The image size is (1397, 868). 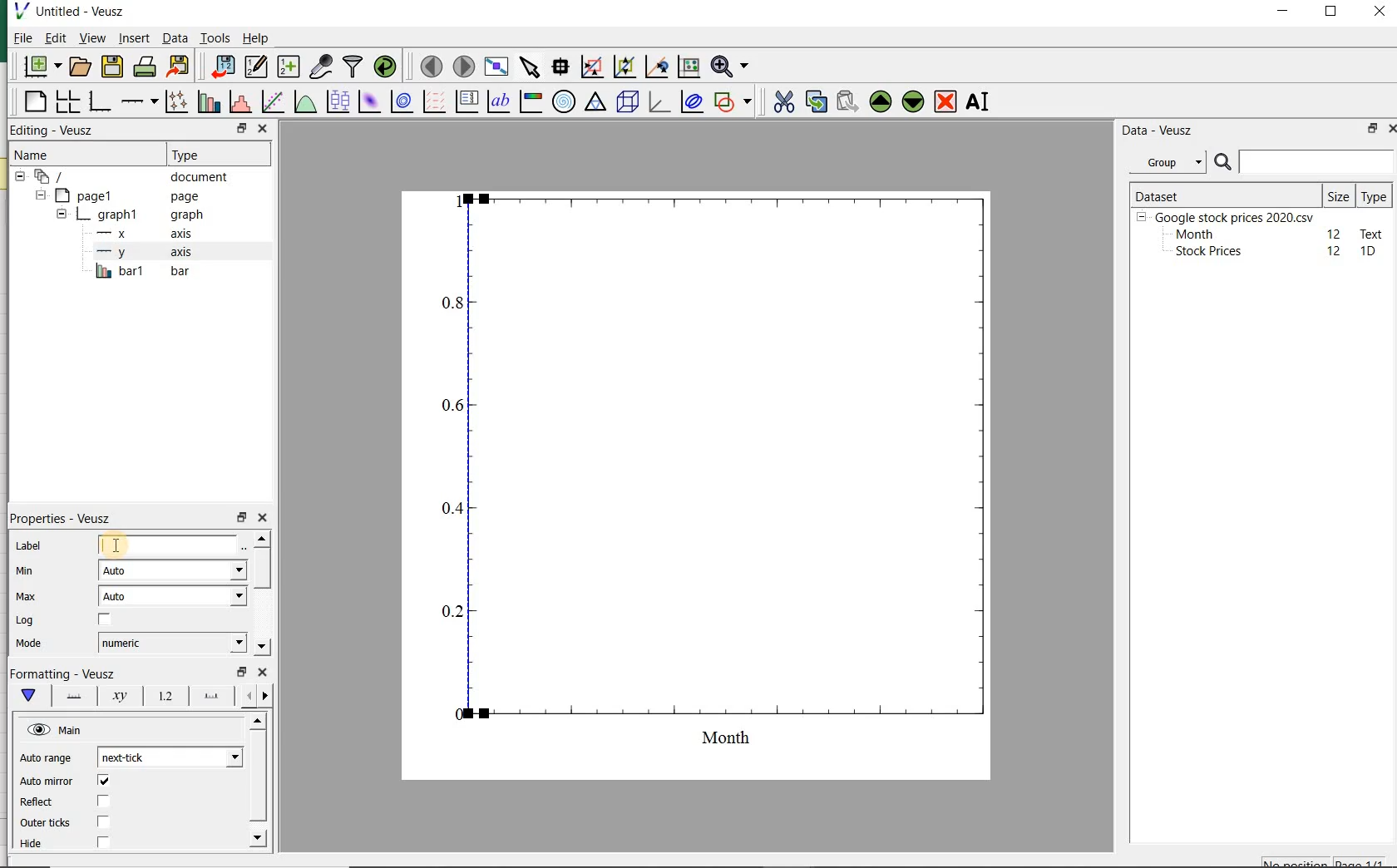 What do you see at coordinates (262, 128) in the screenshot?
I see `close` at bounding box center [262, 128].